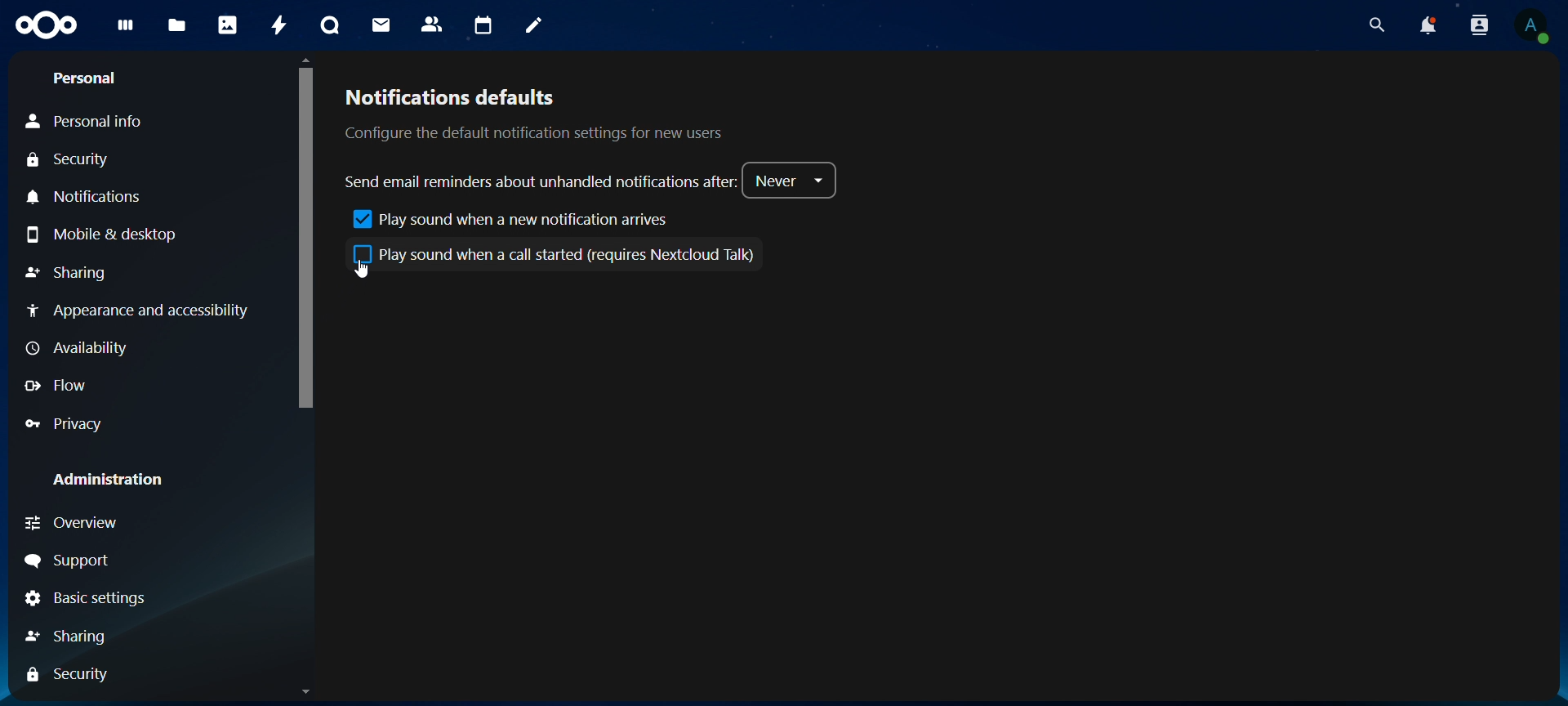 This screenshot has height=706, width=1568. Describe the element at coordinates (278, 24) in the screenshot. I see `activity` at that location.